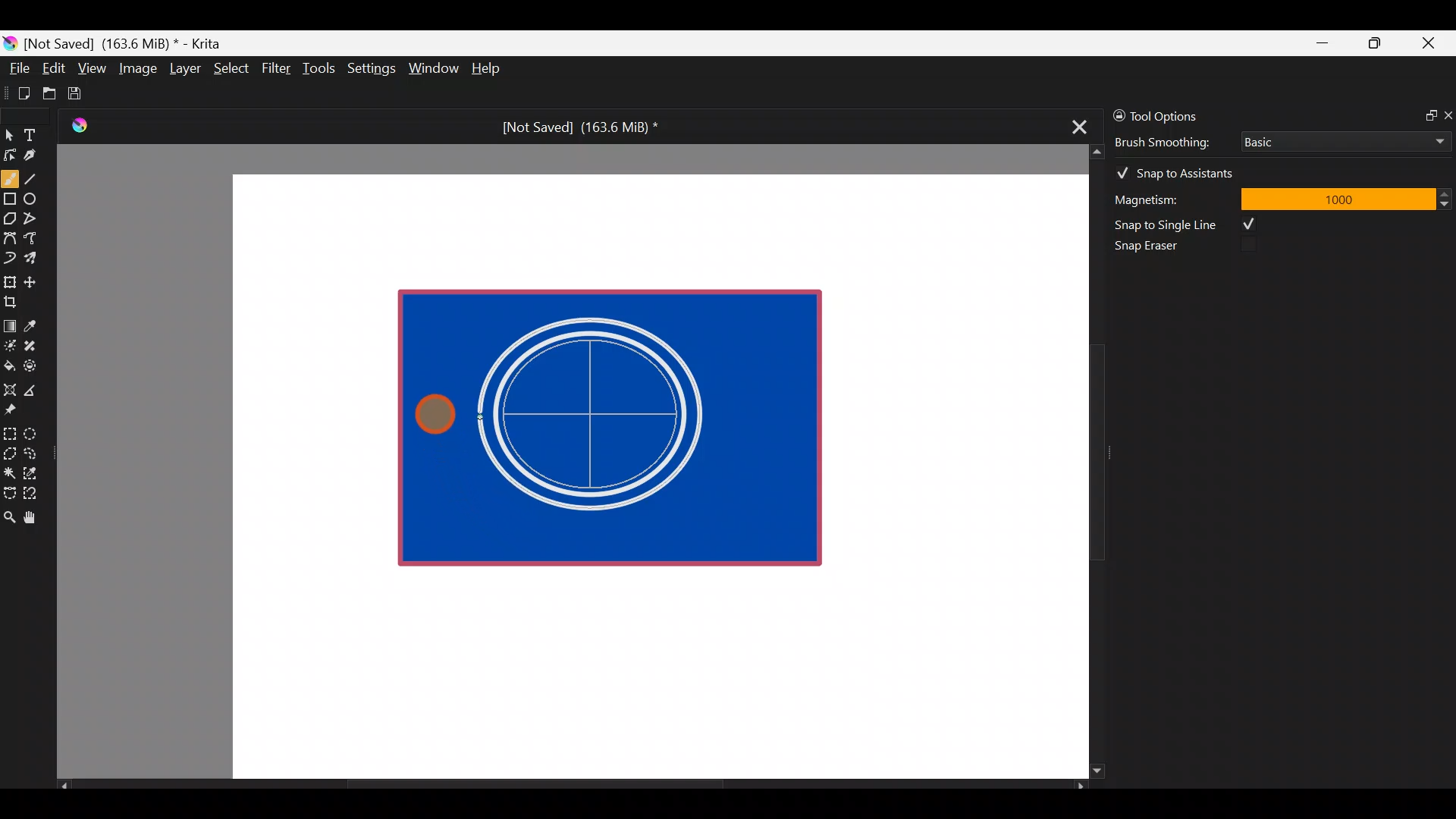  What do you see at coordinates (601, 414) in the screenshot?
I see `Concentric circle drawn on canvas` at bounding box center [601, 414].